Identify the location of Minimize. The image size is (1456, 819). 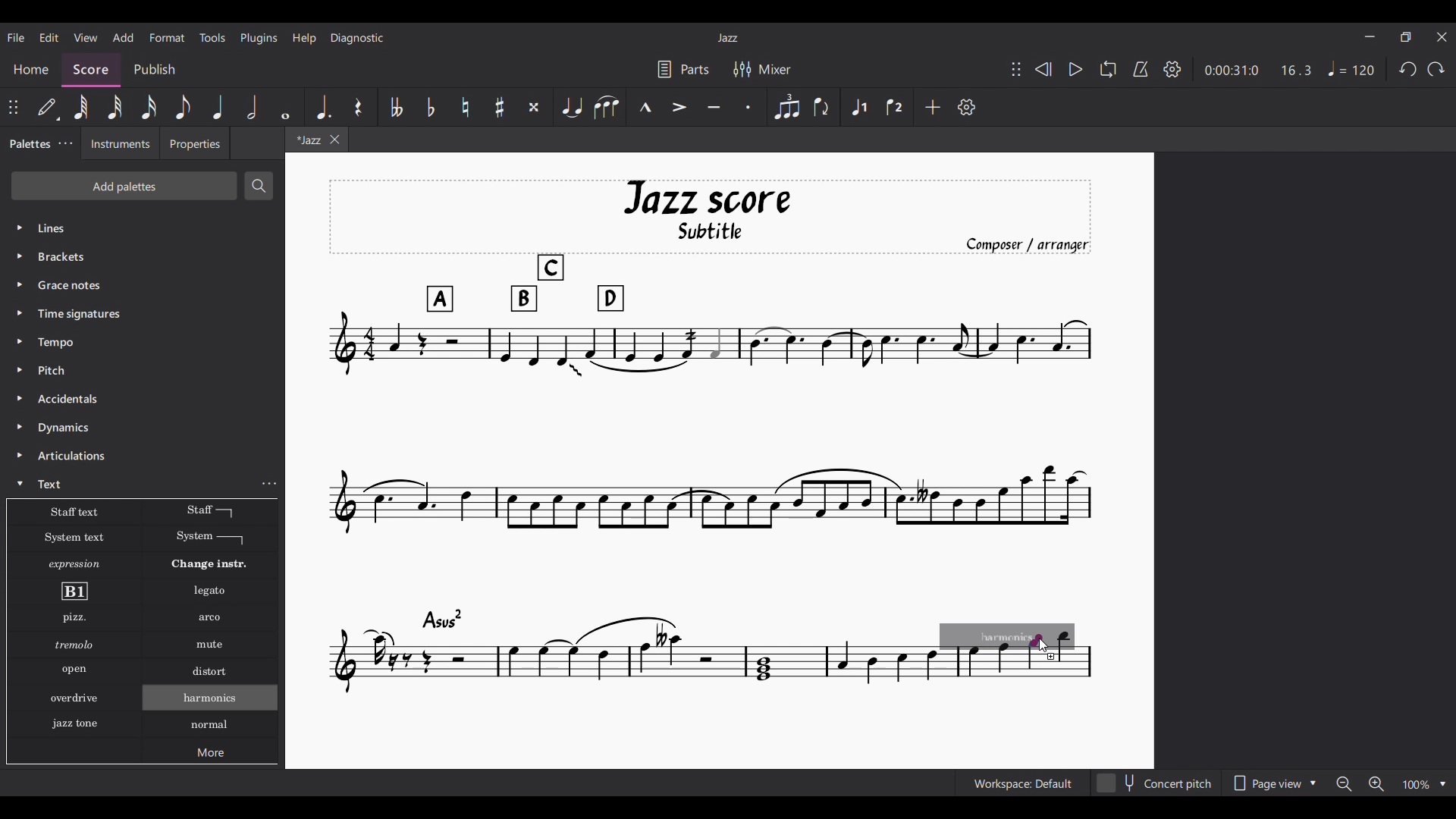
(1370, 36).